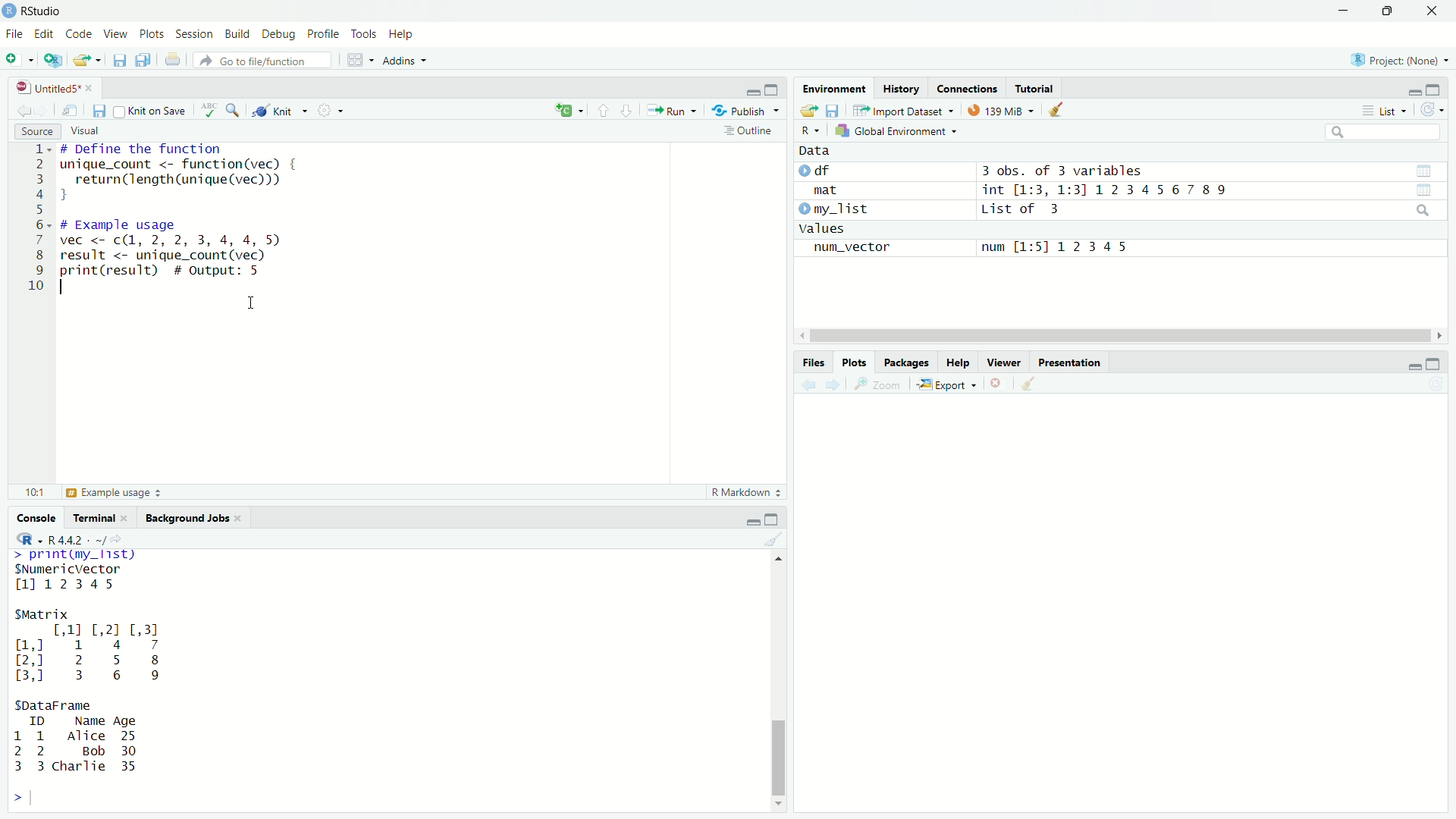 The image size is (1456, 819). What do you see at coordinates (1435, 91) in the screenshot?
I see `maximize` at bounding box center [1435, 91].